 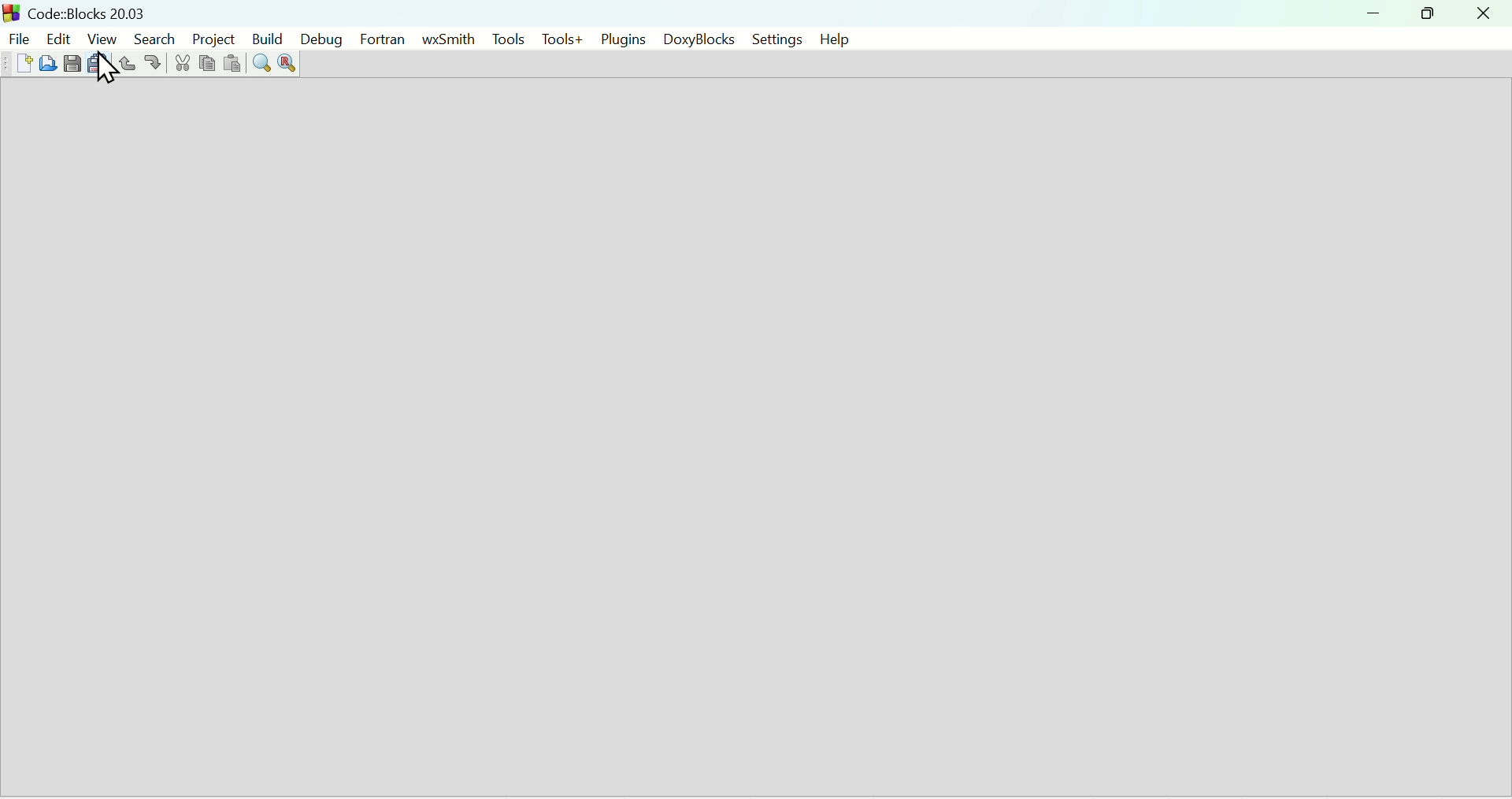 I want to click on Replace, so click(x=288, y=65).